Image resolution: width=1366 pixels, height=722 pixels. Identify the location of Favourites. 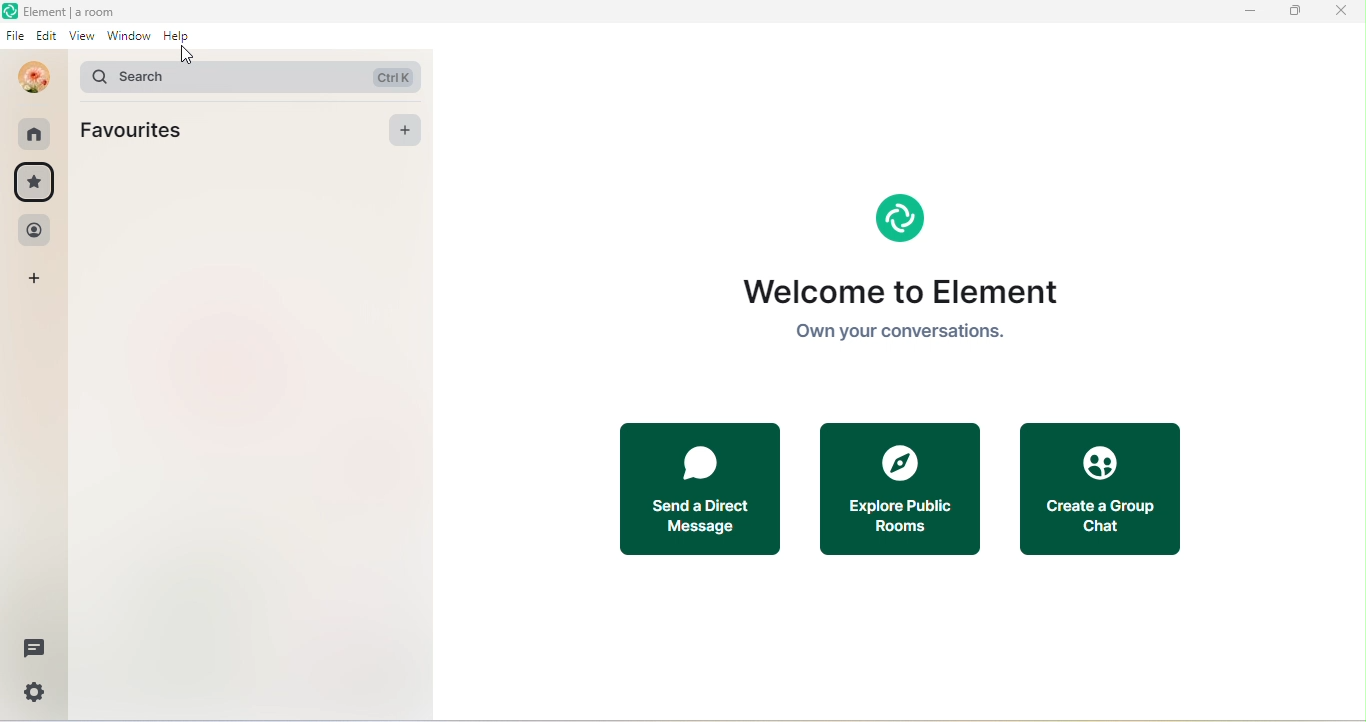
(137, 129).